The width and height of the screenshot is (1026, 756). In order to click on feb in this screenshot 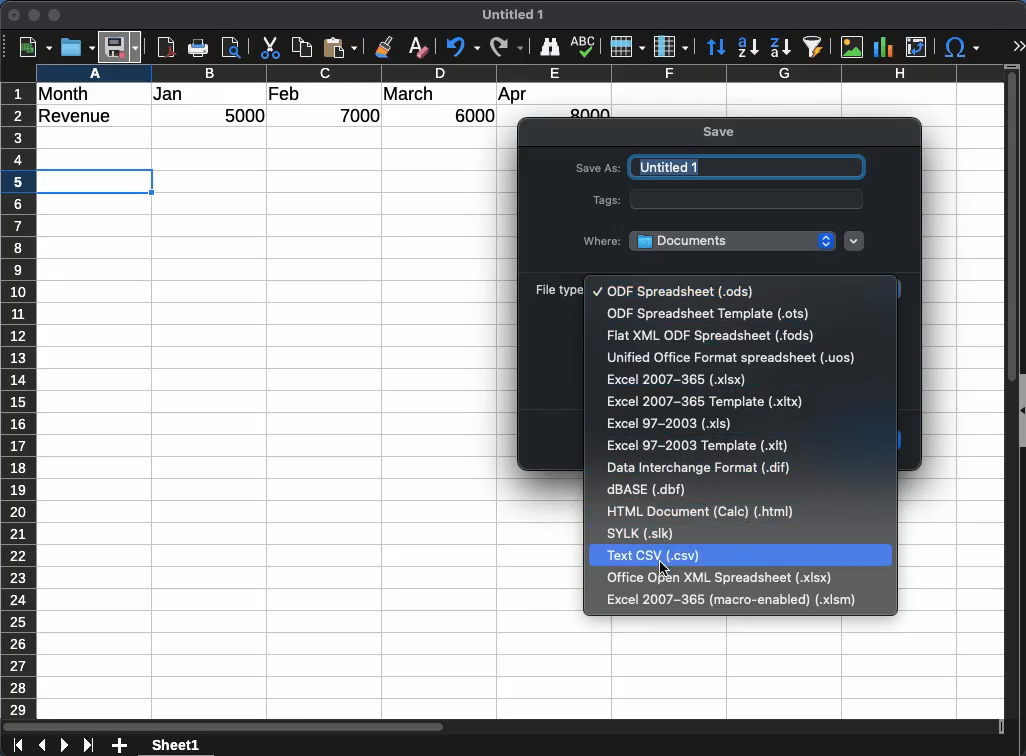, I will do `click(284, 93)`.